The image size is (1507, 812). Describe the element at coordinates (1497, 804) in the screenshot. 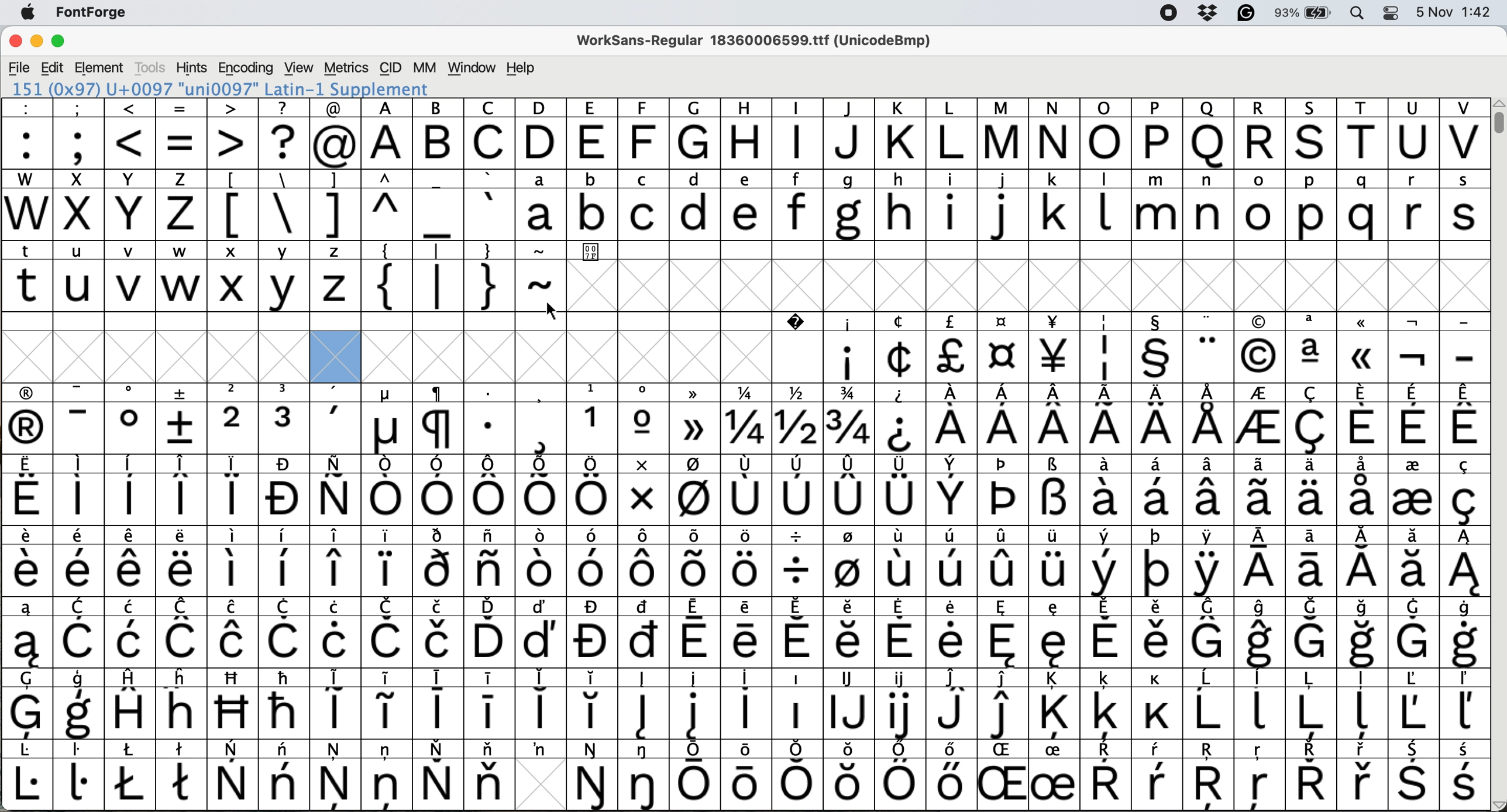

I see `scroll button` at that location.